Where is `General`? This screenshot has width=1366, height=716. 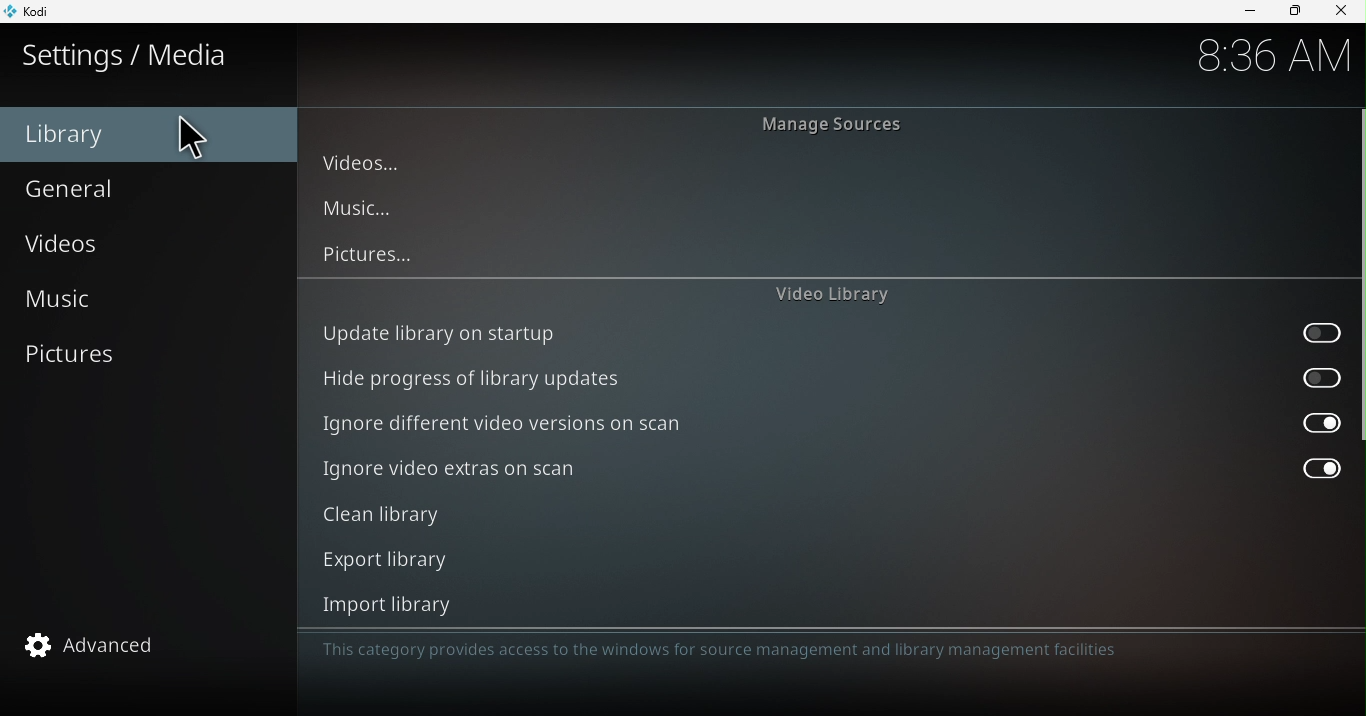 General is located at coordinates (143, 187).